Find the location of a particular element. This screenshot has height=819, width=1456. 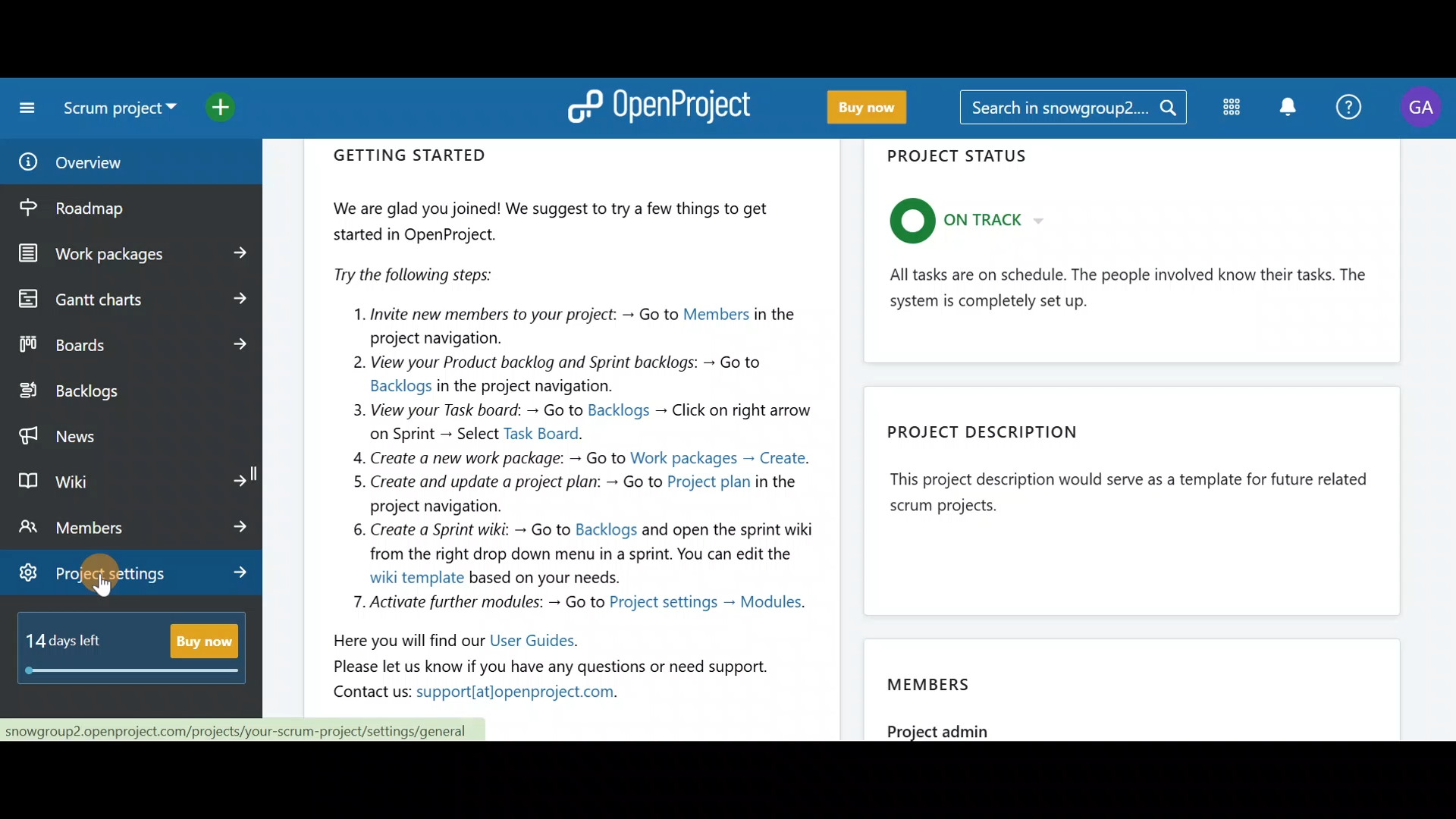

Overview is located at coordinates (112, 162).